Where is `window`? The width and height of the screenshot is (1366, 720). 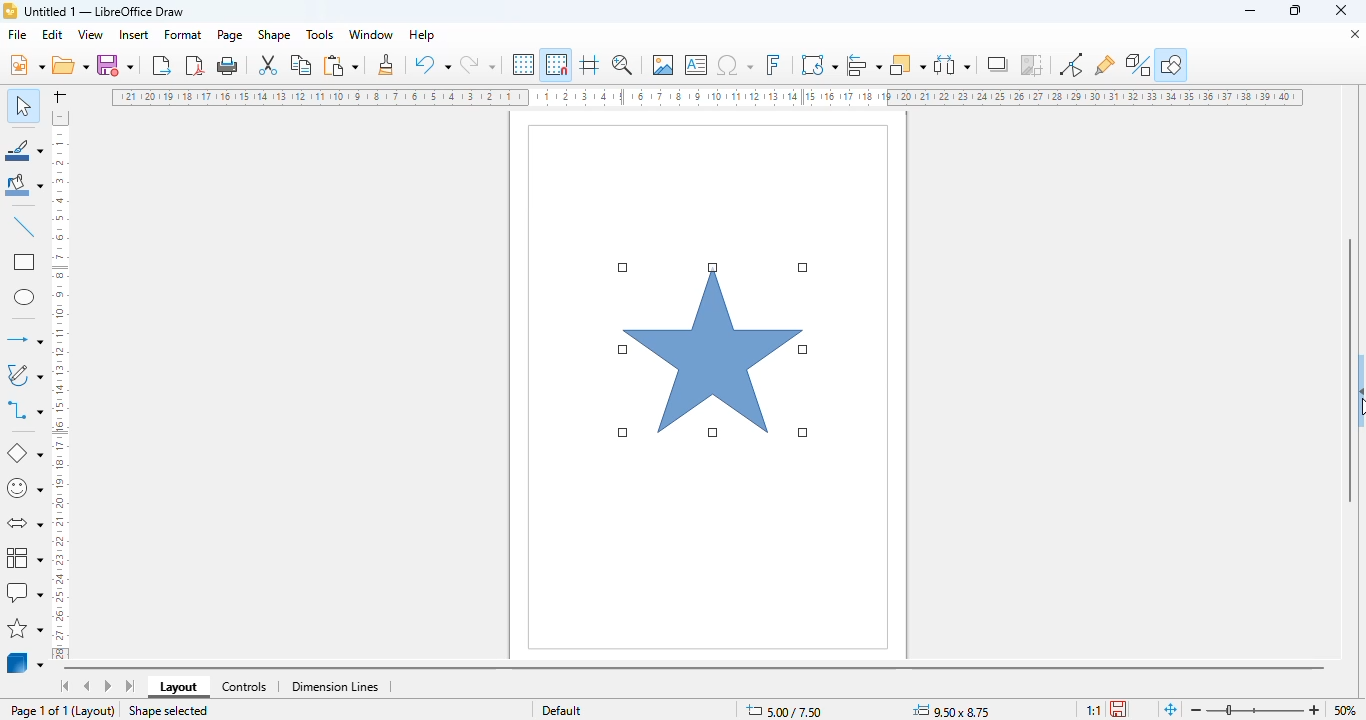 window is located at coordinates (371, 34).